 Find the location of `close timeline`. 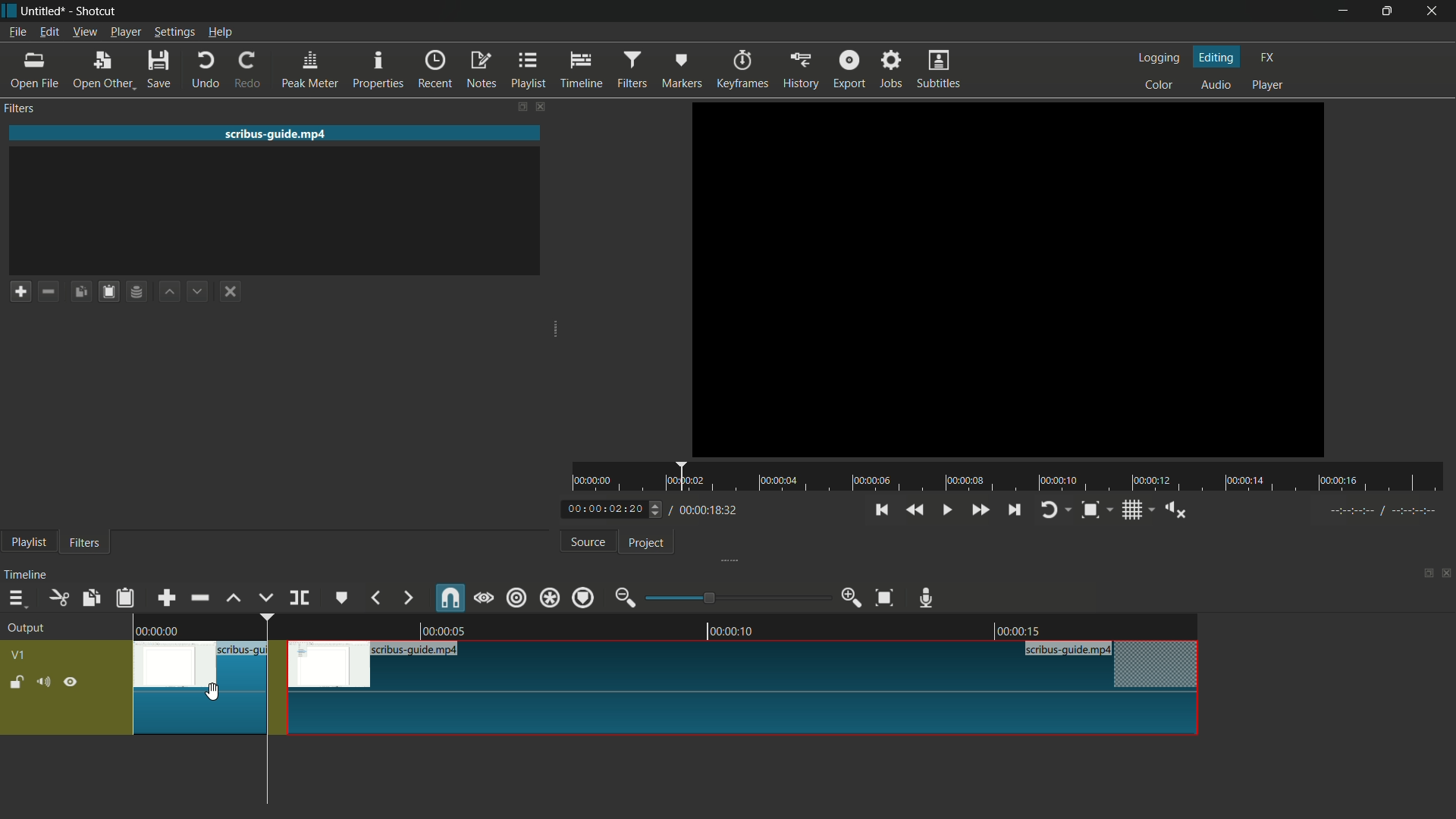

close timeline is located at coordinates (1447, 575).